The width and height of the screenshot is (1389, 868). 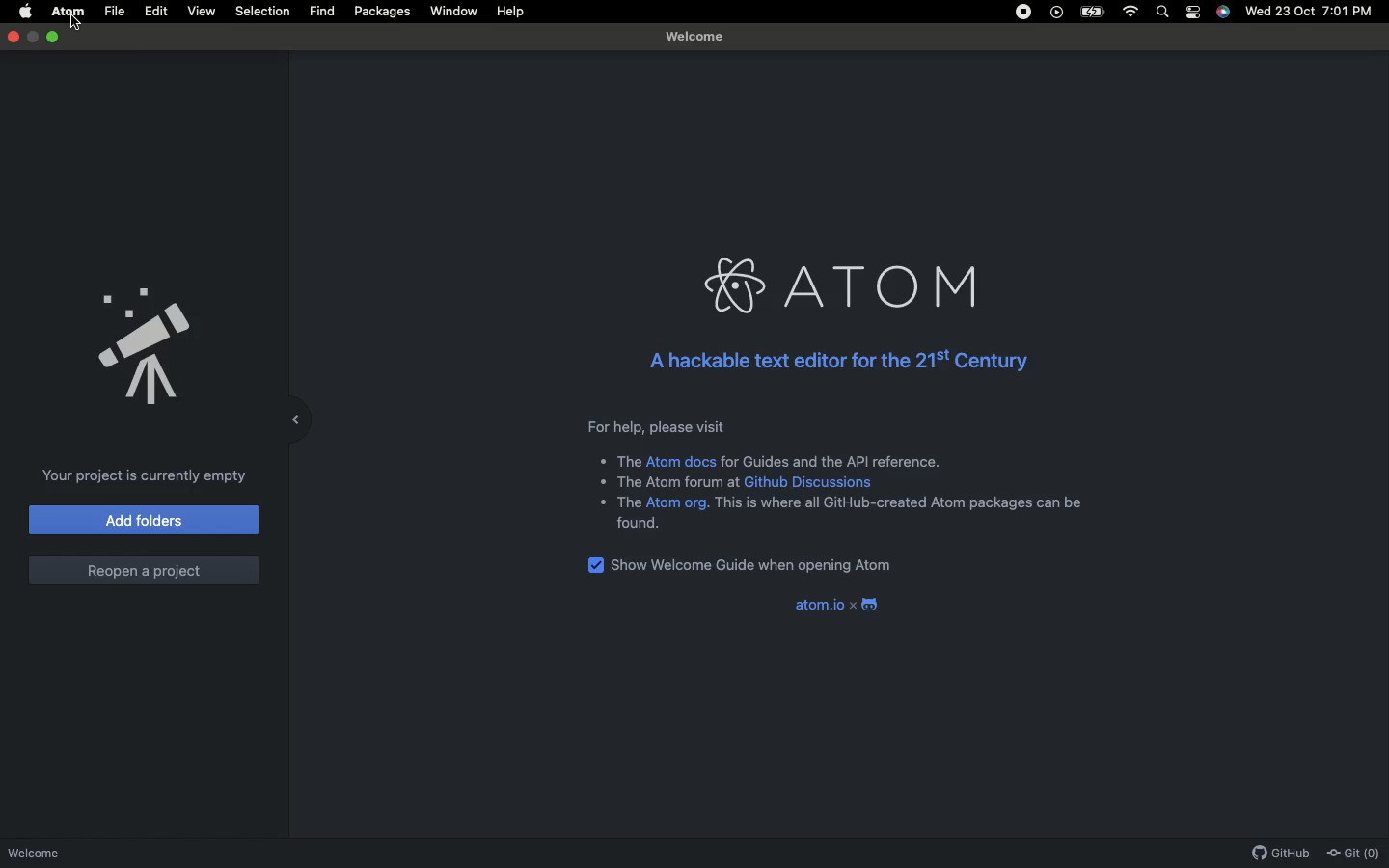 I want to click on Minimize, so click(x=55, y=38).